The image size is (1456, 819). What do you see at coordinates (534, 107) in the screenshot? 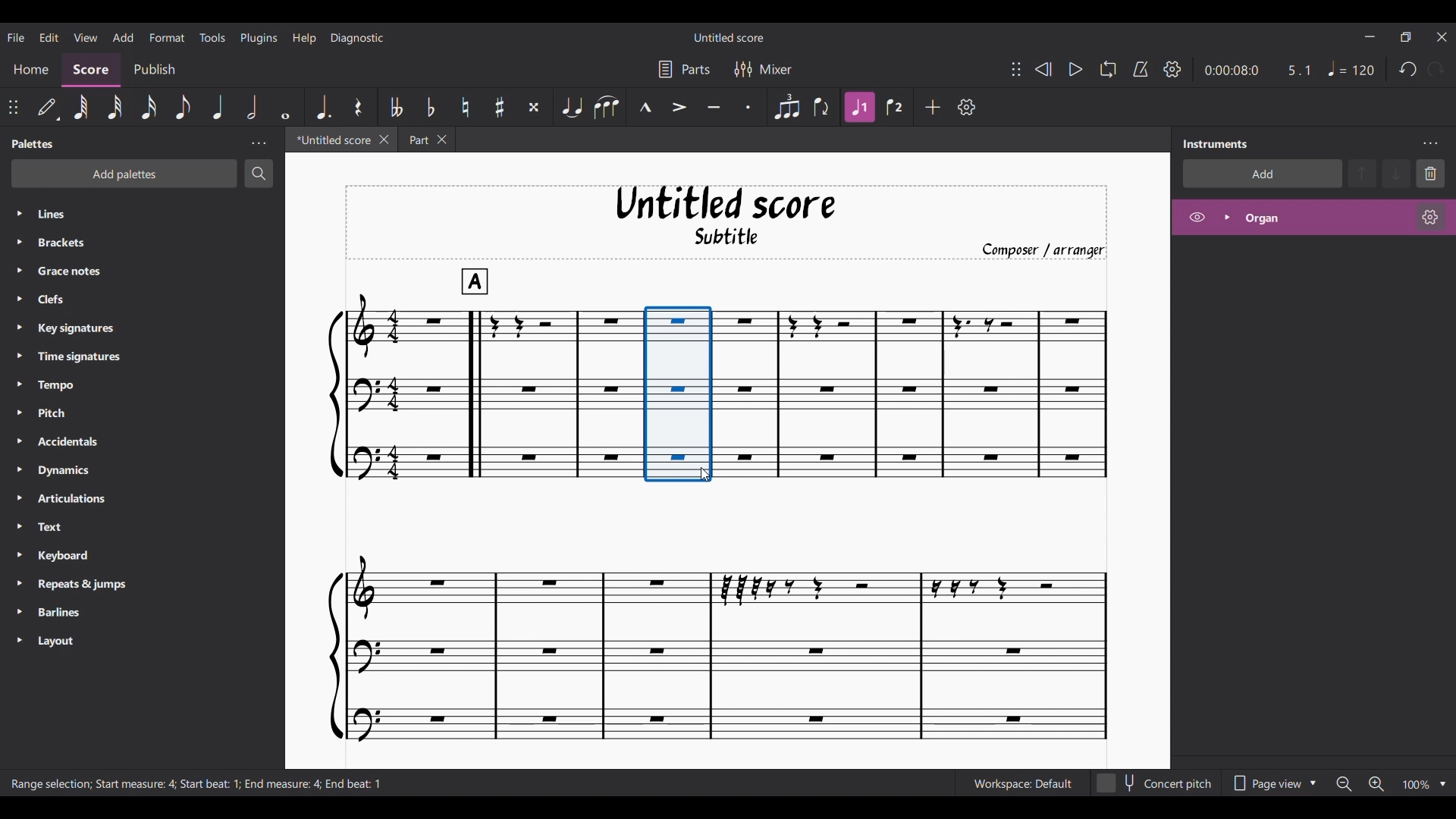
I see `Toggle double sharp` at bounding box center [534, 107].